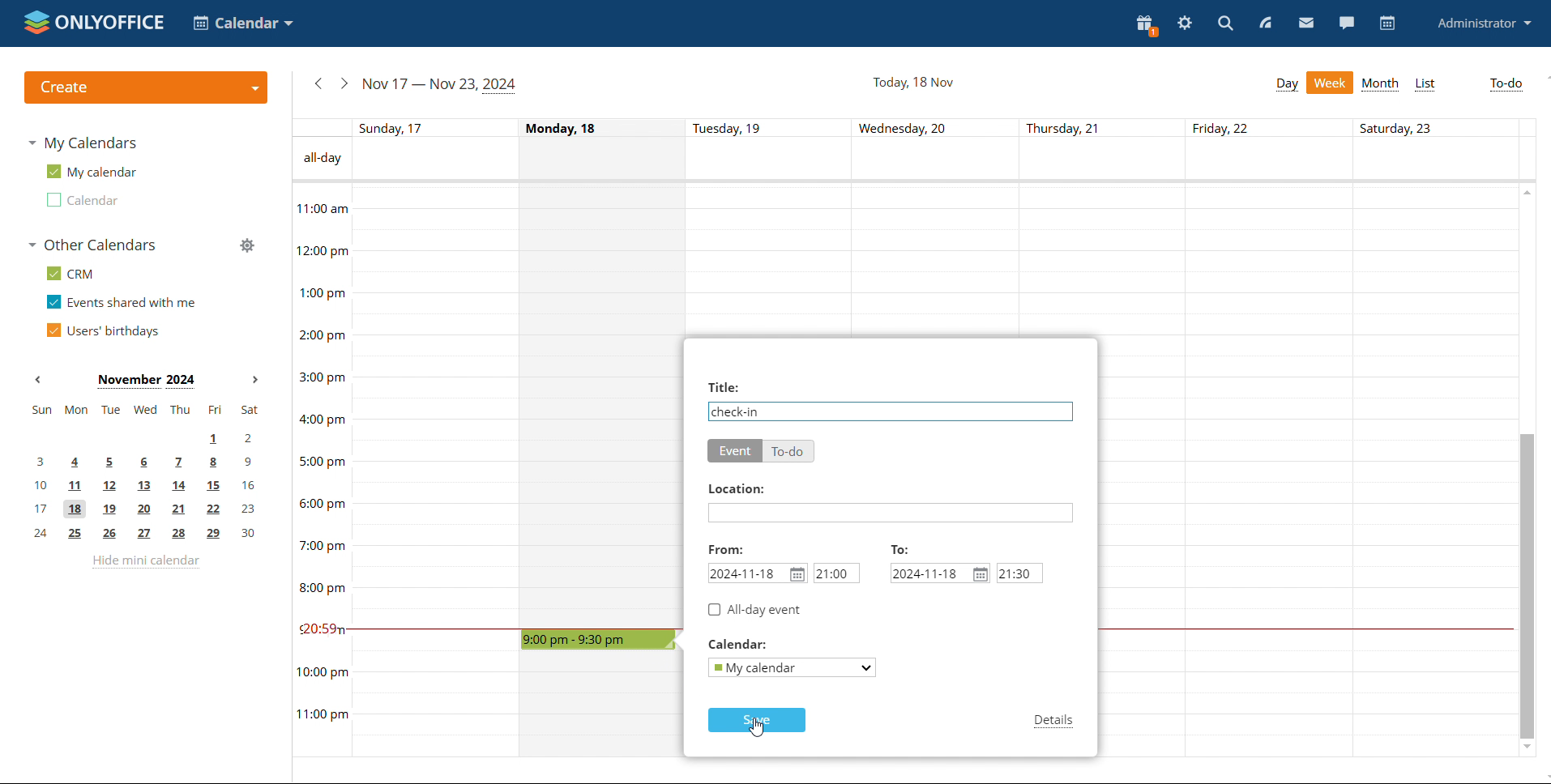 The image size is (1551, 784). I want to click on other calendars, so click(92, 245).